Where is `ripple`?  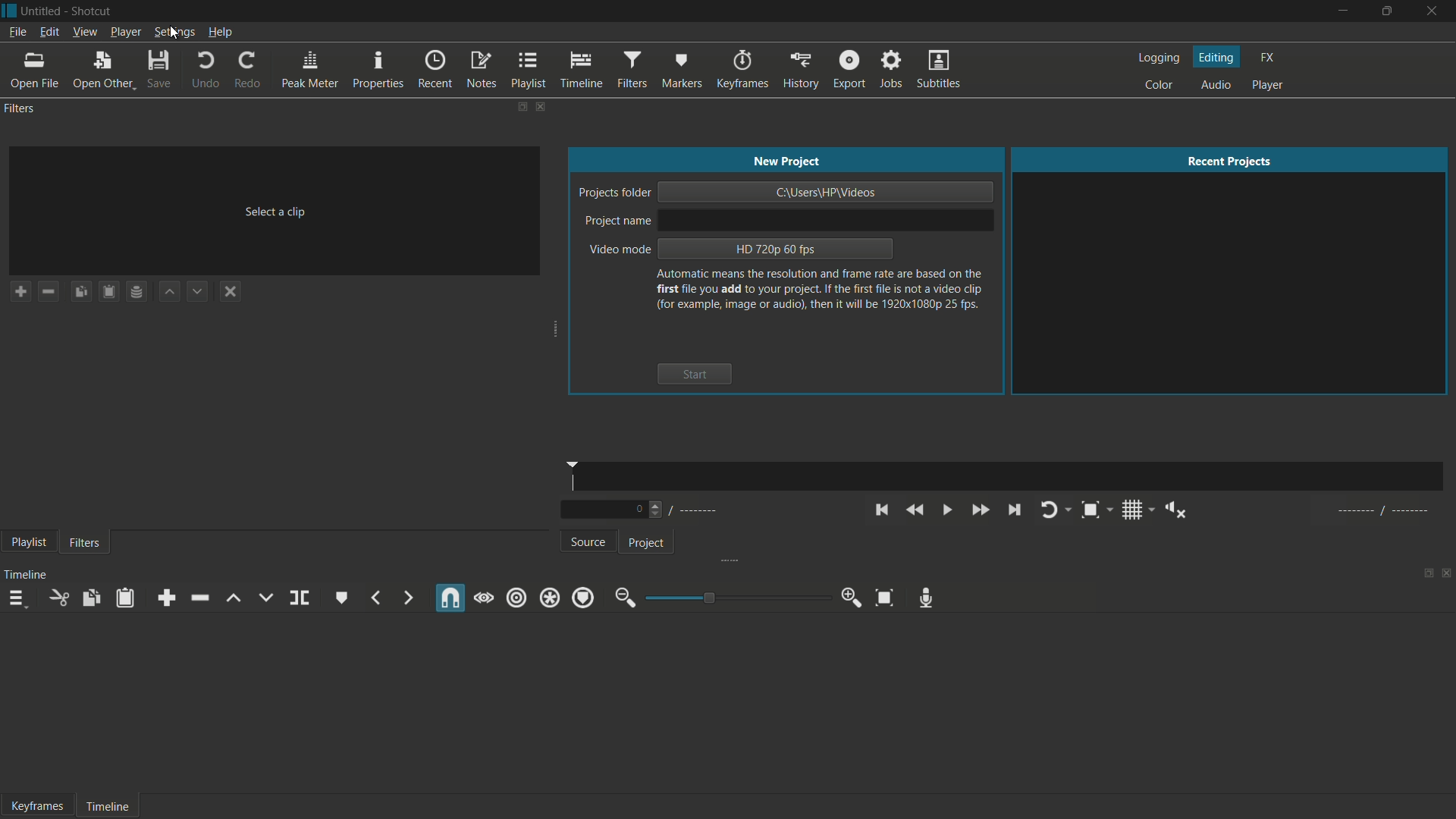 ripple is located at coordinates (516, 598).